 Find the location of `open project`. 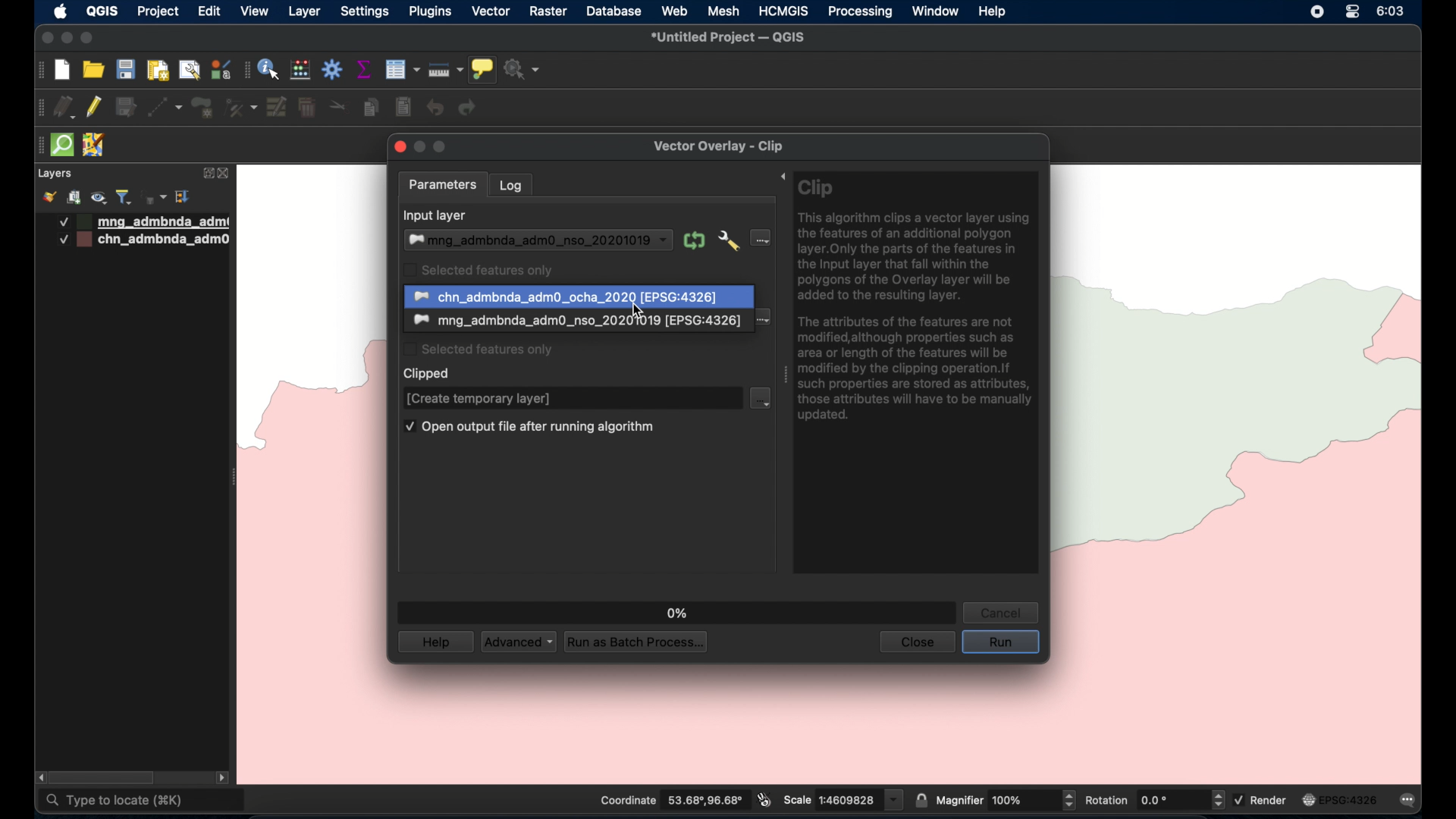

open project is located at coordinates (92, 69).